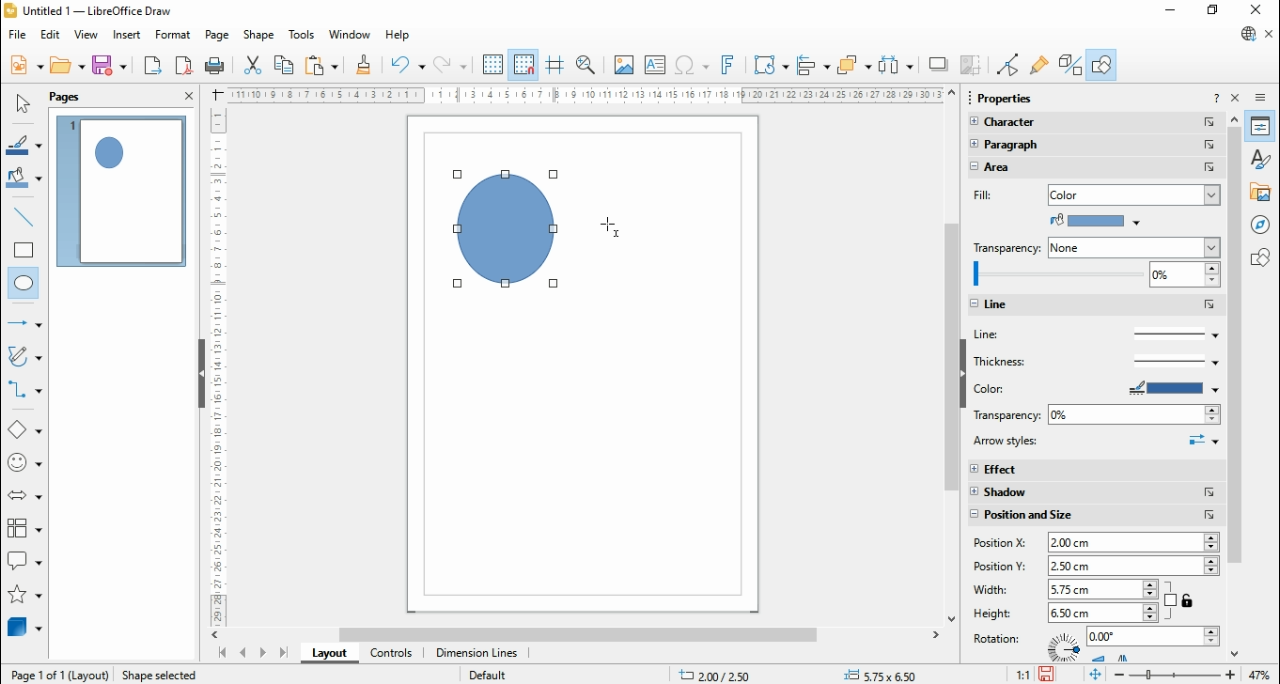 This screenshot has width=1280, height=684. Describe the element at coordinates (1001, 566) in the screenshot. I see `position Y` at that location.